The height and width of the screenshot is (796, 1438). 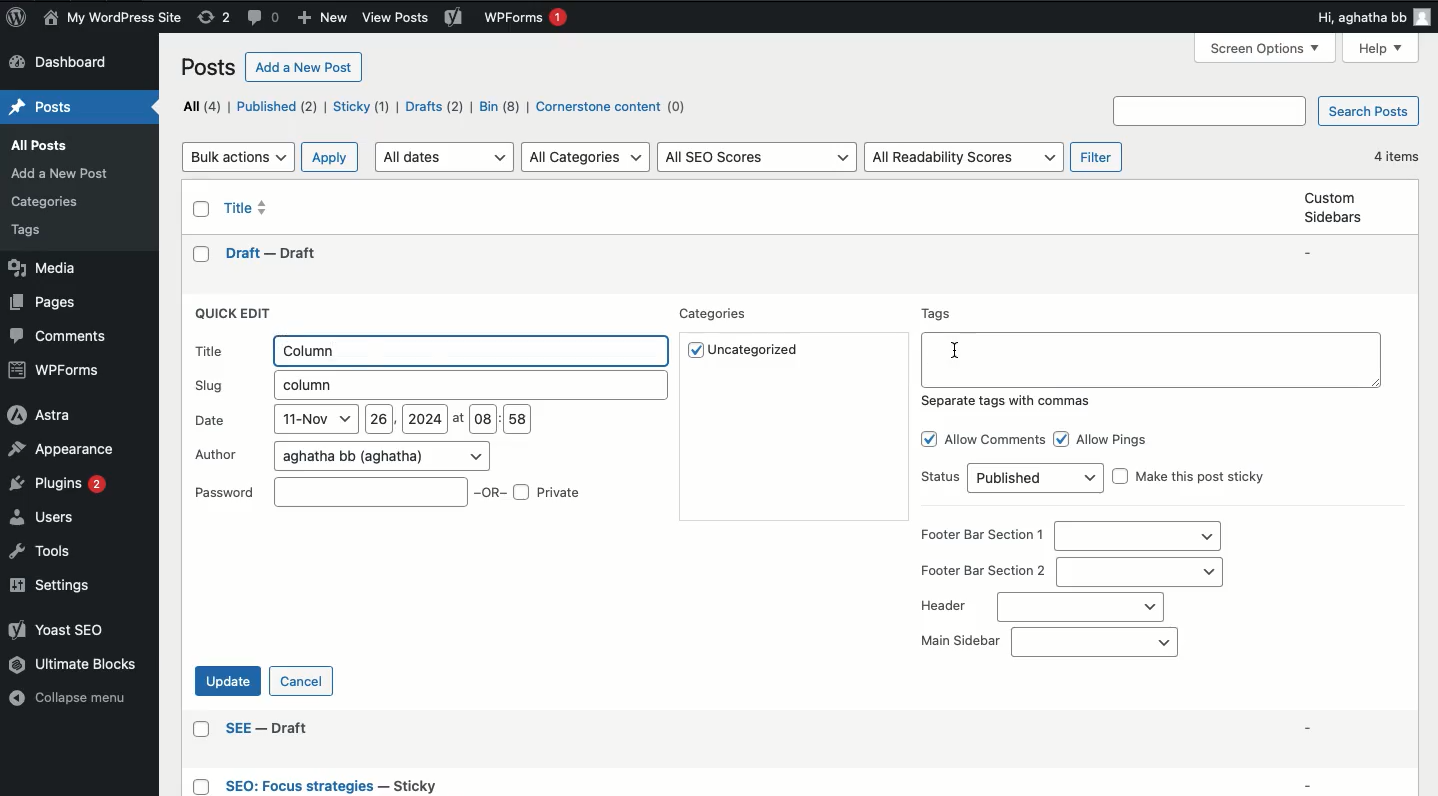 What do you see at coordinates (44, 204) in the screenshot?
I see `` at bounding box center [44, 204].